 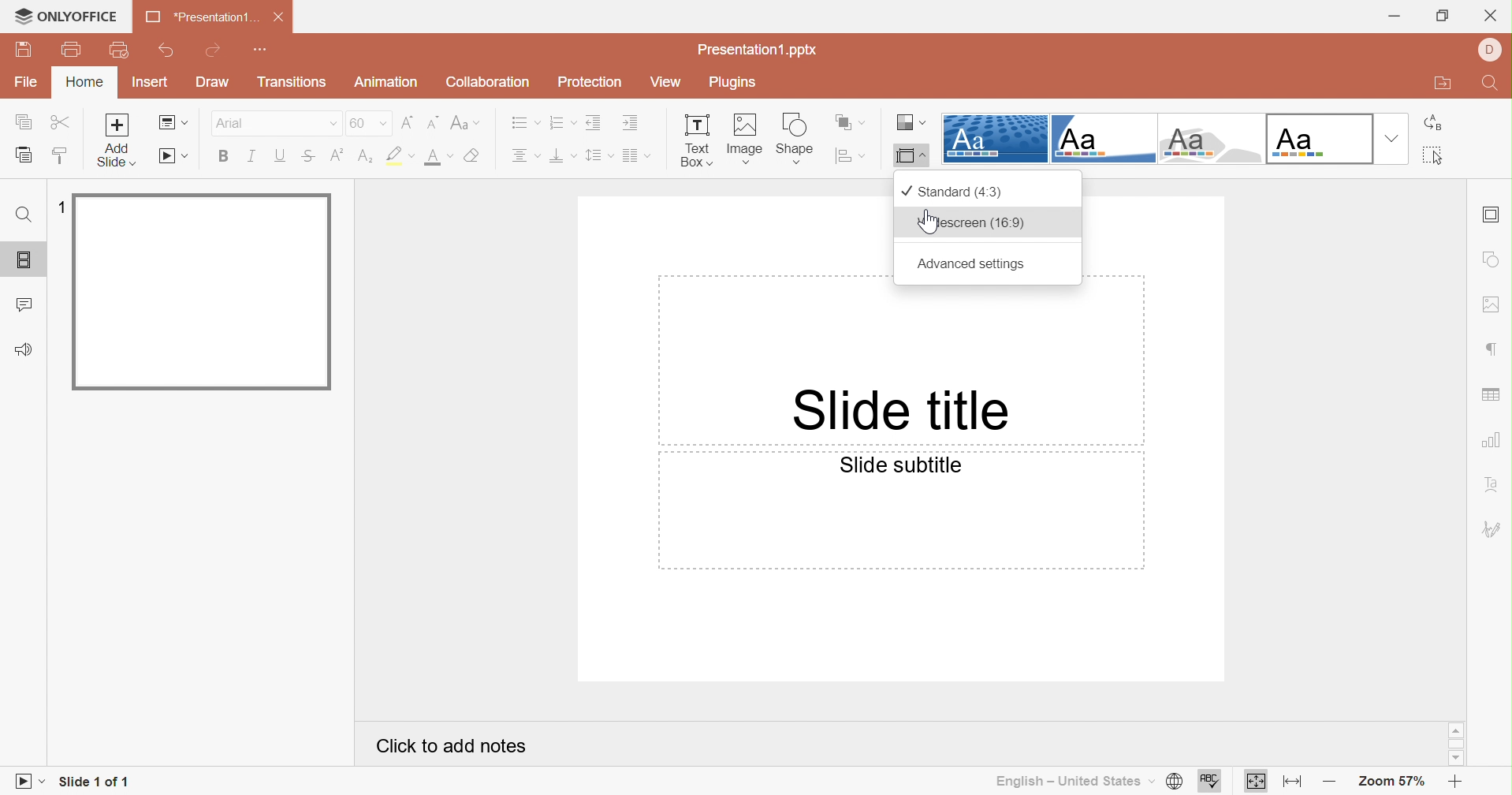 I want to click on Drop down, so click(x=1392, y=139).